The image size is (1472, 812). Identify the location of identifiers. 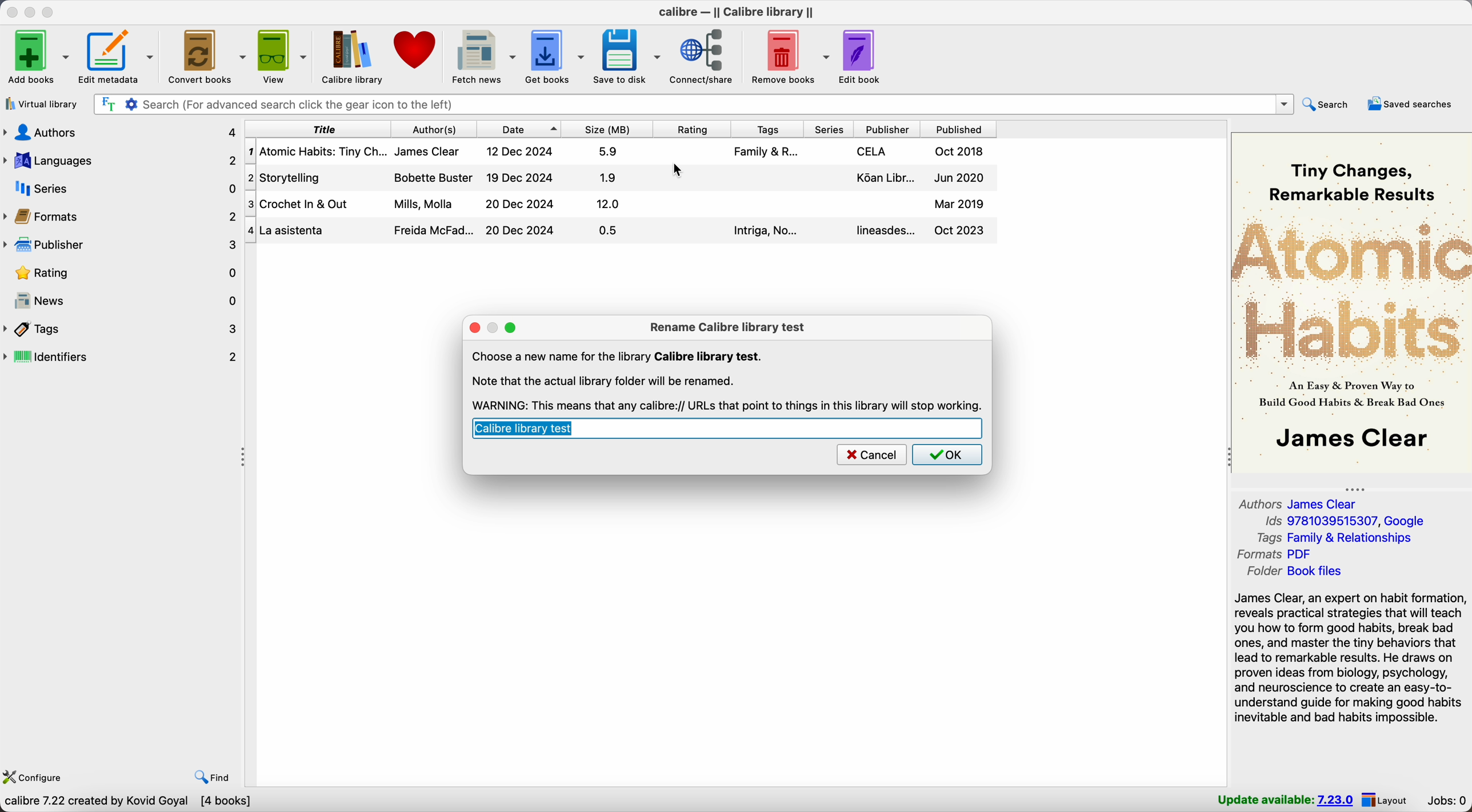
(122, 358).